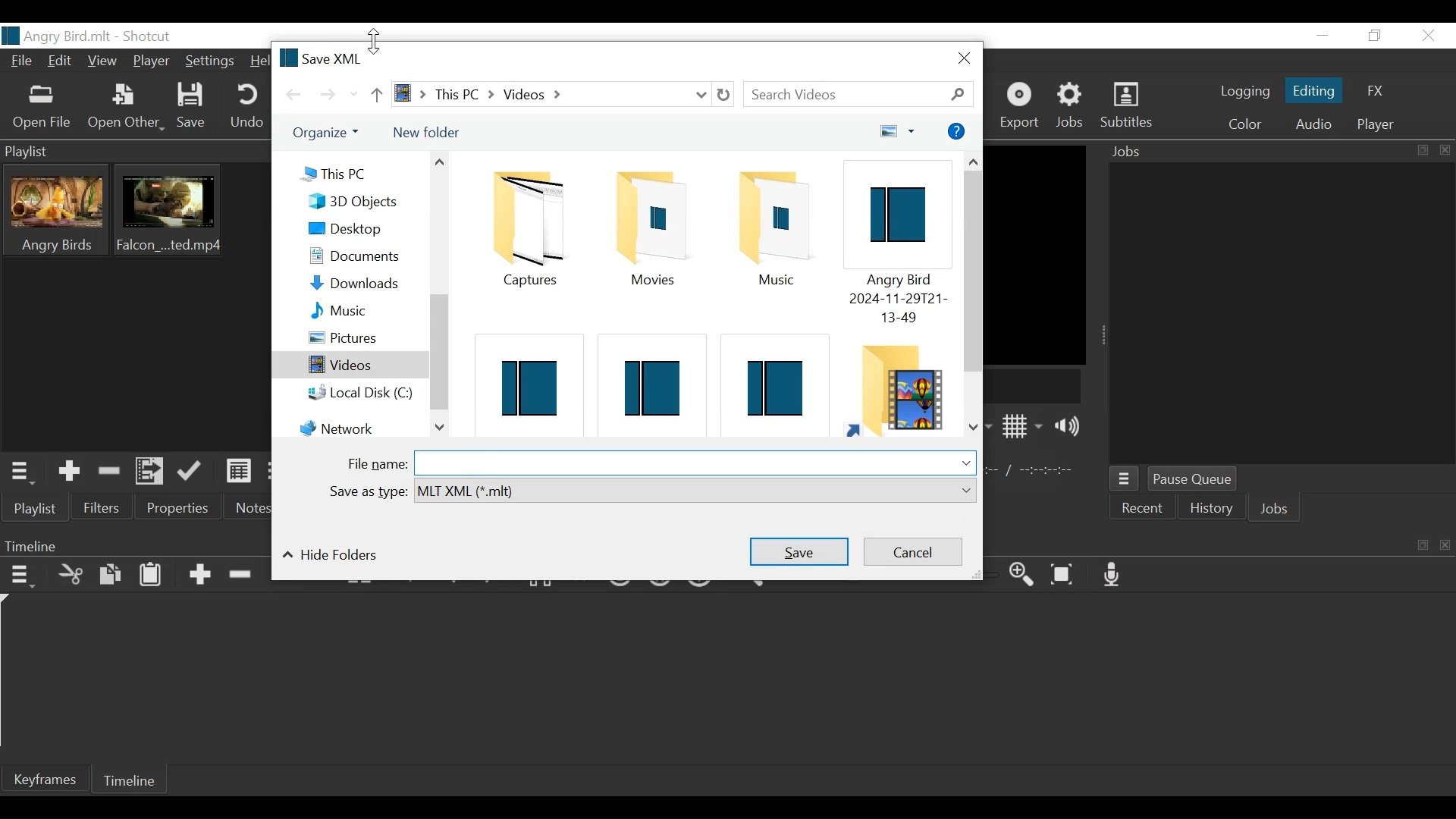 The width and height of the screenshot is (1456, 819). I want to click on Remove cut, so click(110, 471).